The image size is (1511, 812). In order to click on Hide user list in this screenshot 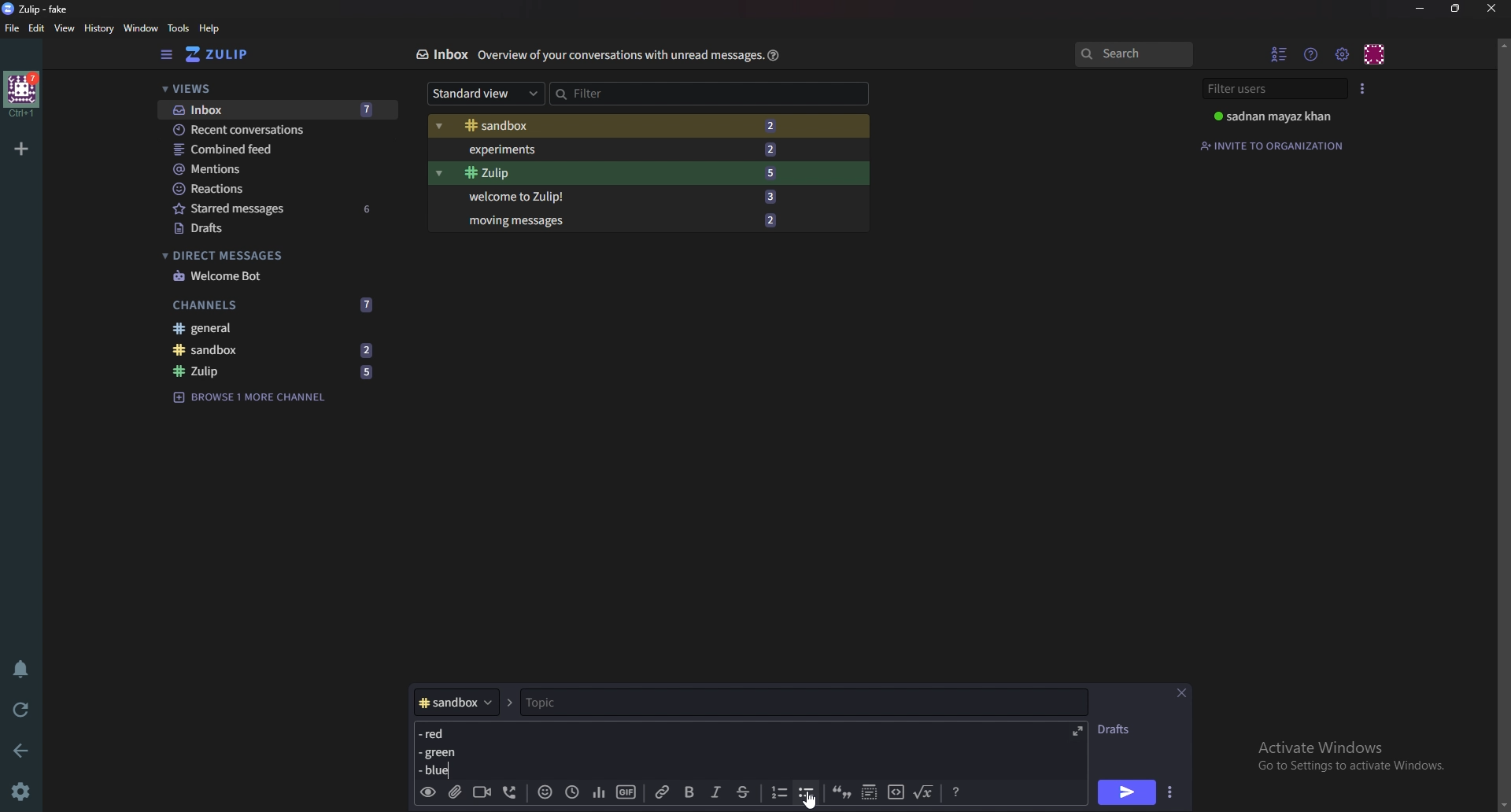, I will do `click(1280, 54)`.